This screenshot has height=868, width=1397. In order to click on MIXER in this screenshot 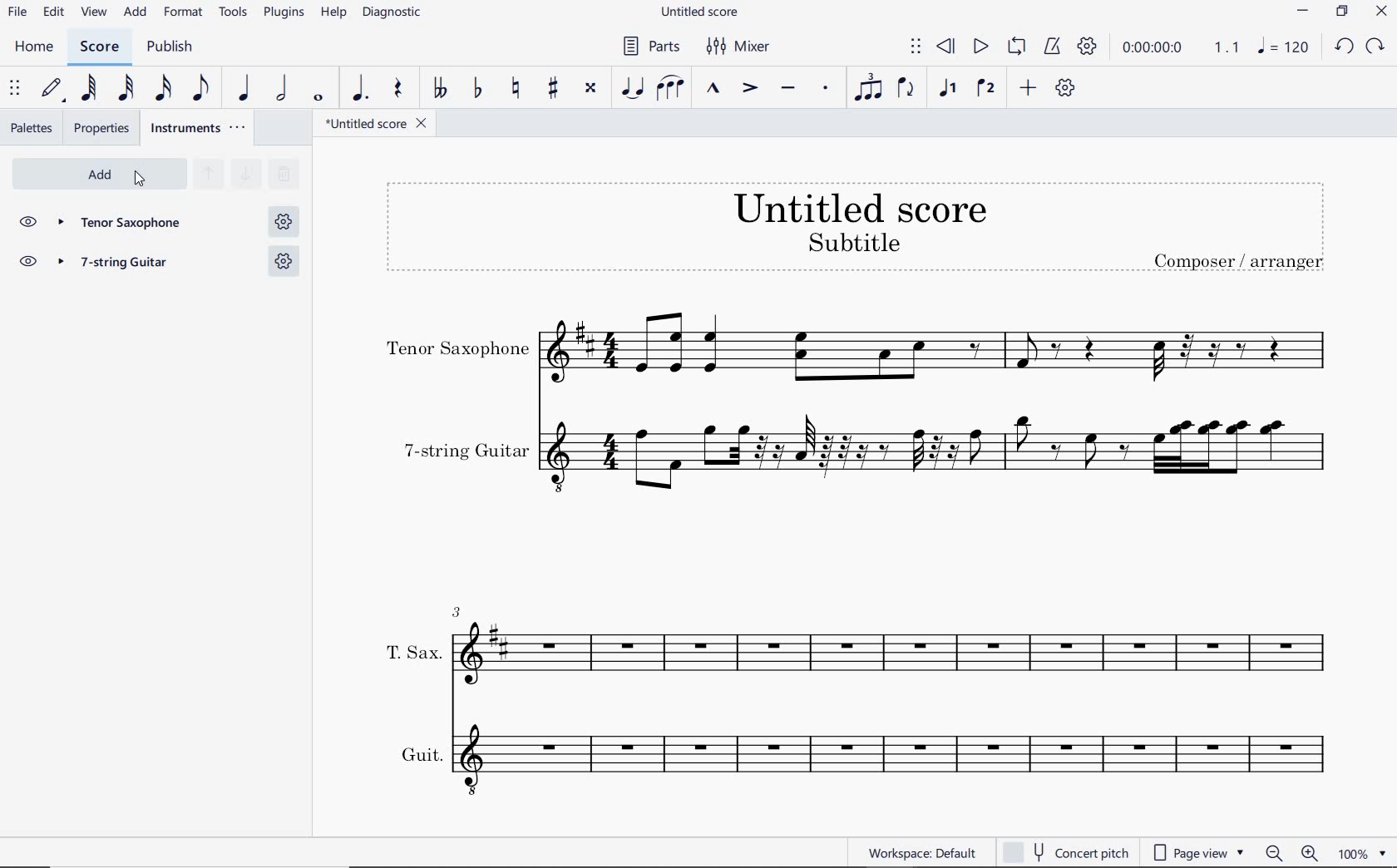, I will do `click(740, 47)`.